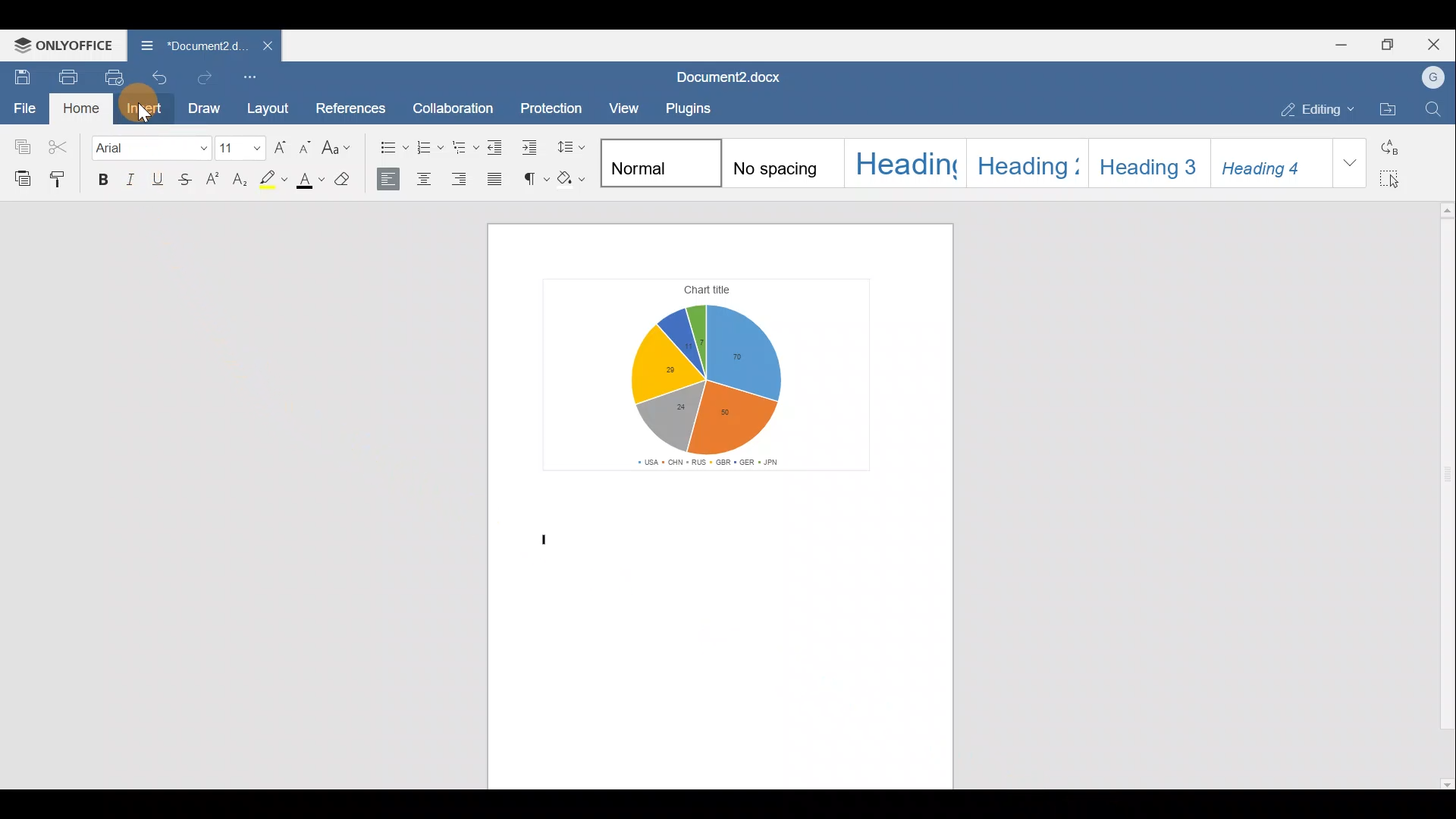  What do you see at coordinates (343, 150) in the screenshot?
I see `Change case` at bounding box center [343, 150].